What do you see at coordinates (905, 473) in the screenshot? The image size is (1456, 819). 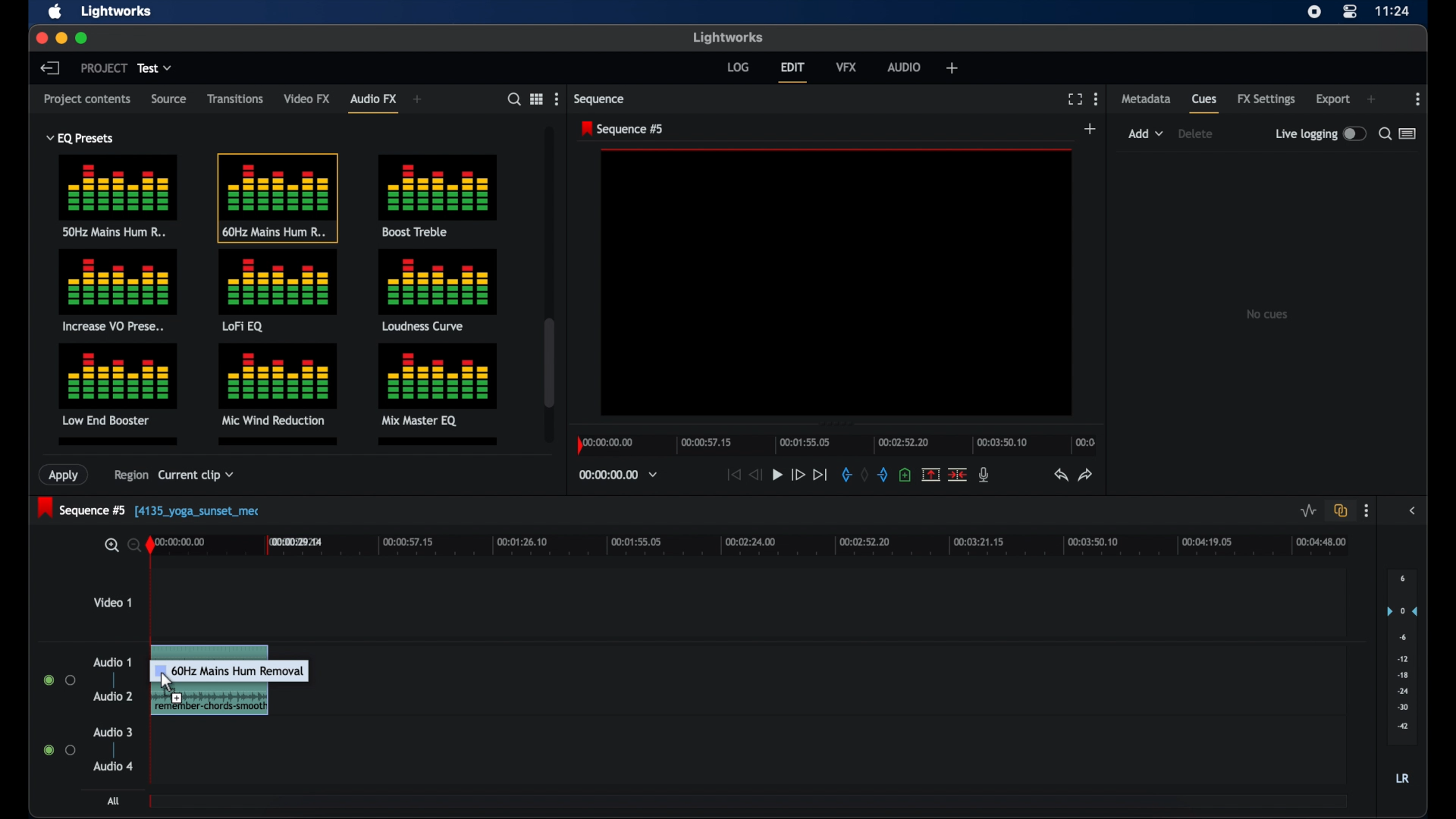 I see `add cue at current position` at bounding box center [905, 473].